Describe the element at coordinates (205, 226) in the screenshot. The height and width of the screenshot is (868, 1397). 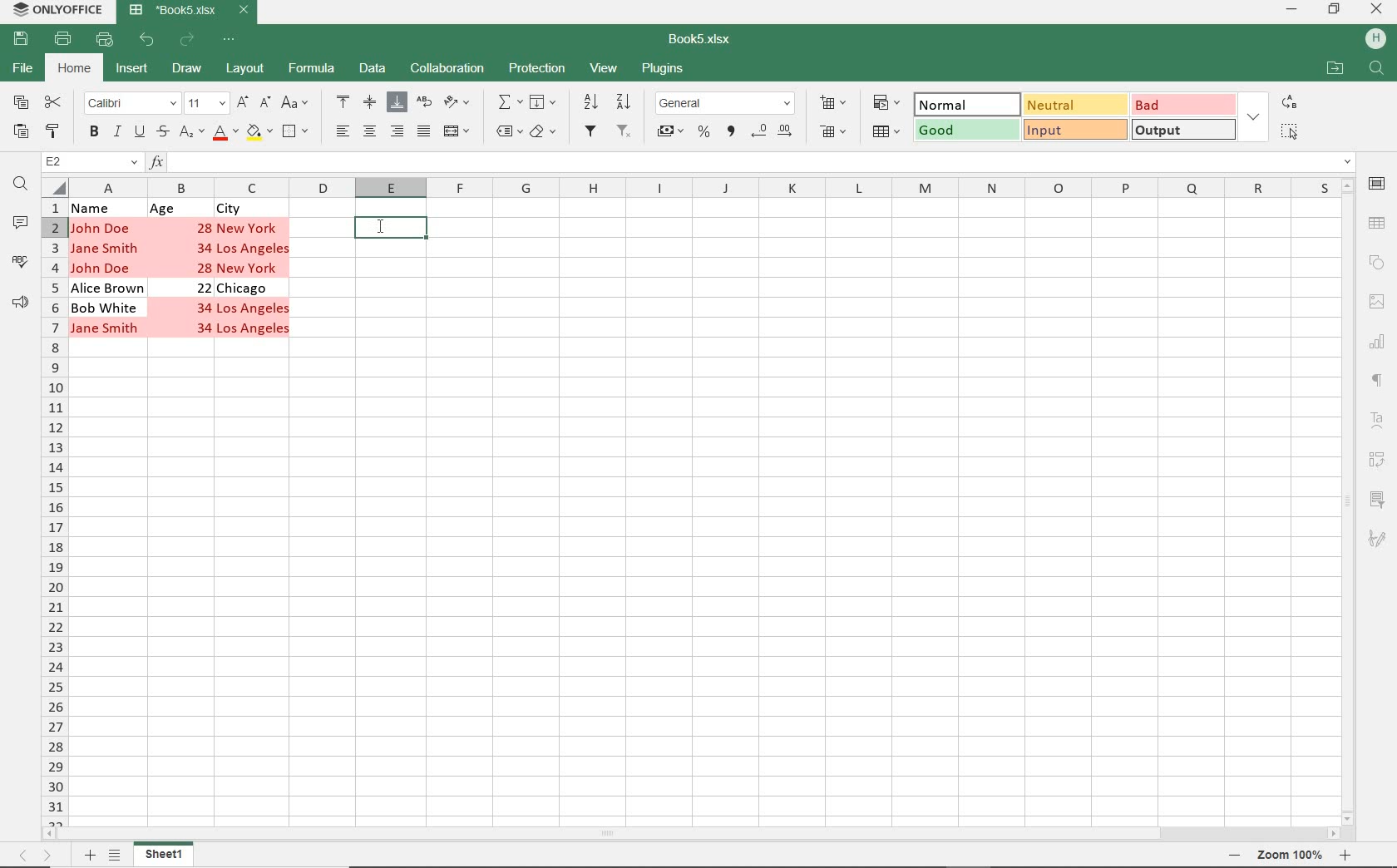
I see `28` at that location.